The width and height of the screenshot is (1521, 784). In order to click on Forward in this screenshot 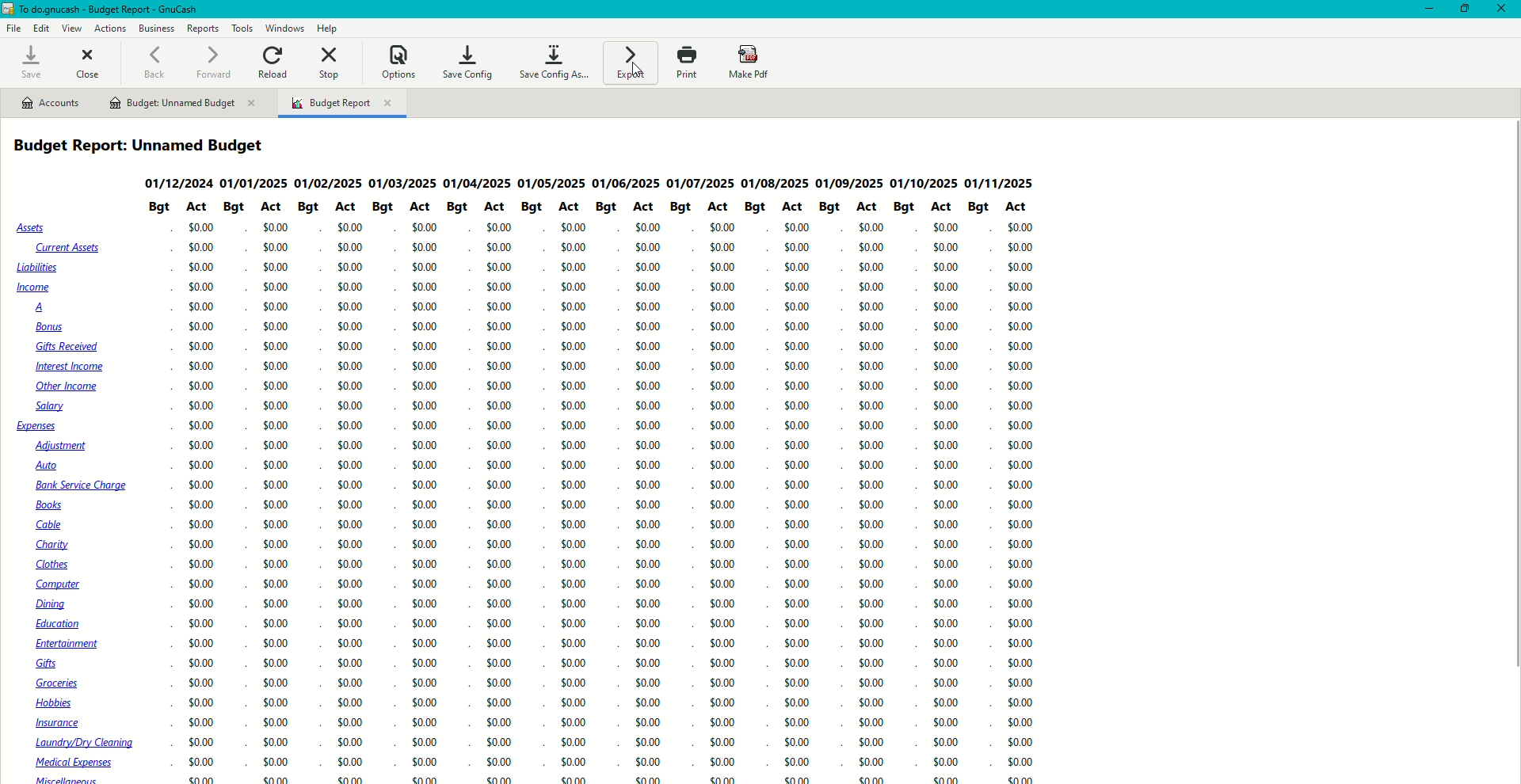, I will do `click(213, 61)`.